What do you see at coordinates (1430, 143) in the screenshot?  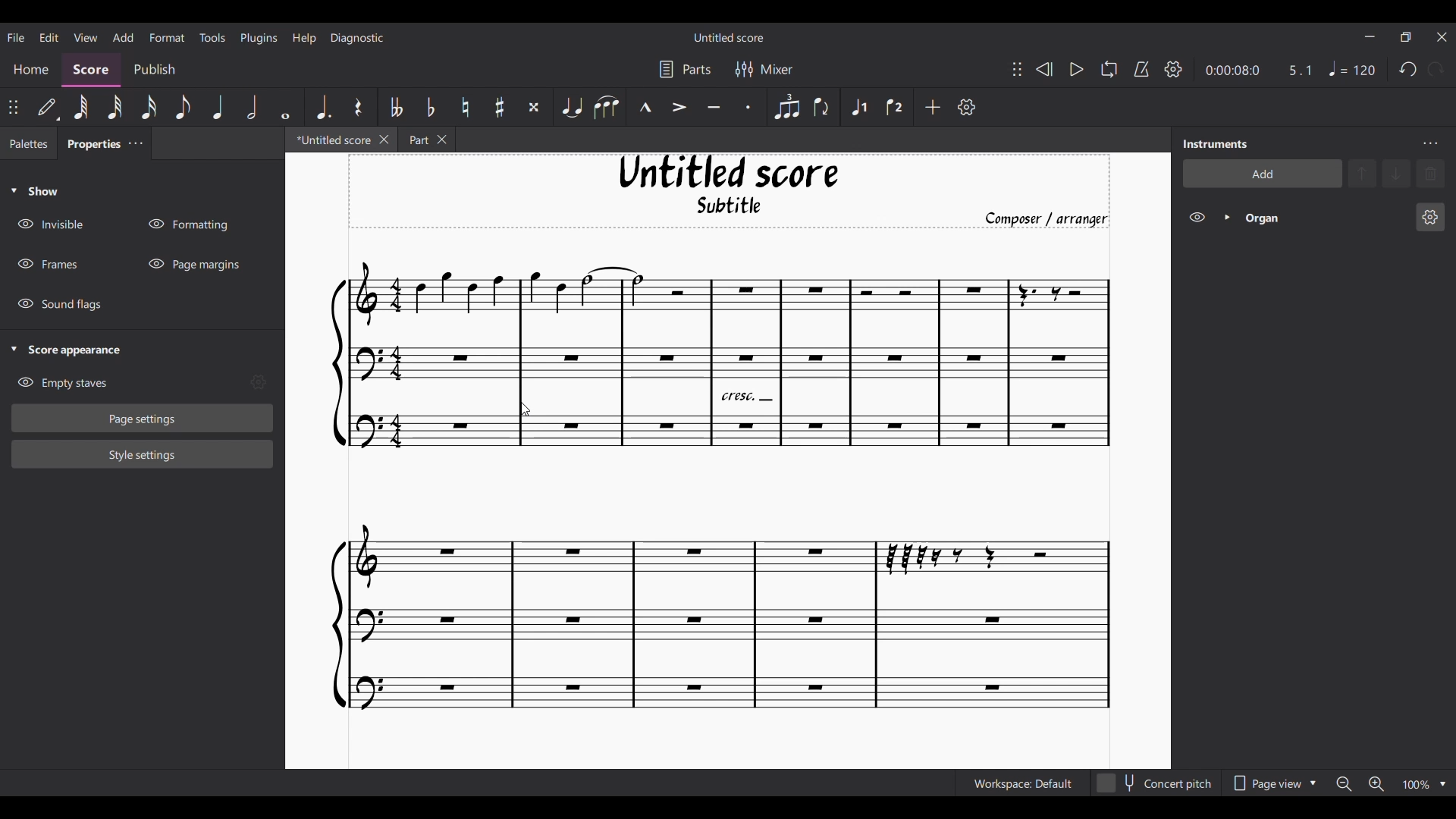 I see `Instruments panel settings` at bounding box center [1430, 143].